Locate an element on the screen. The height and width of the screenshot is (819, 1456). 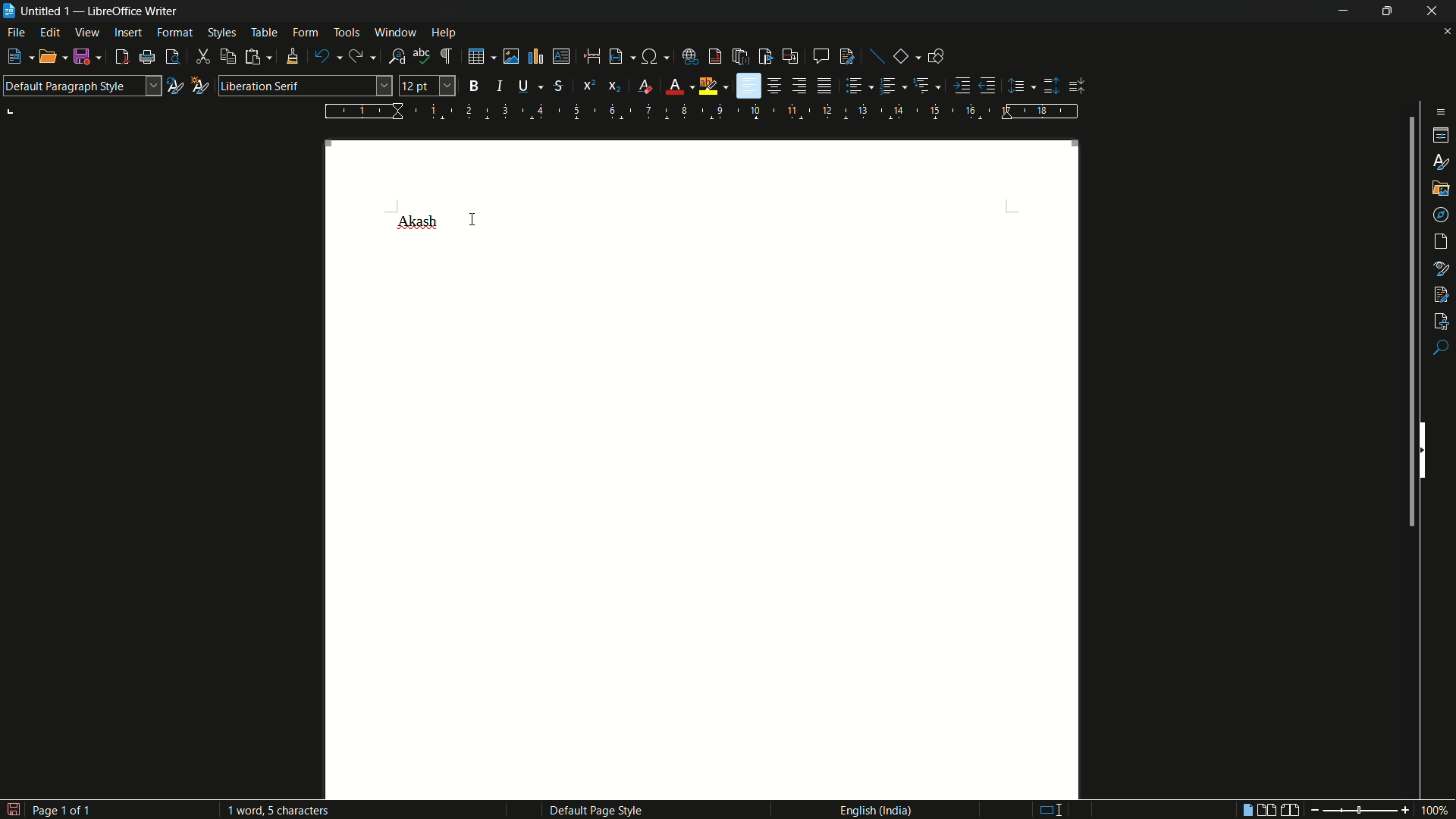
file name is located at coordinates (39, 9).